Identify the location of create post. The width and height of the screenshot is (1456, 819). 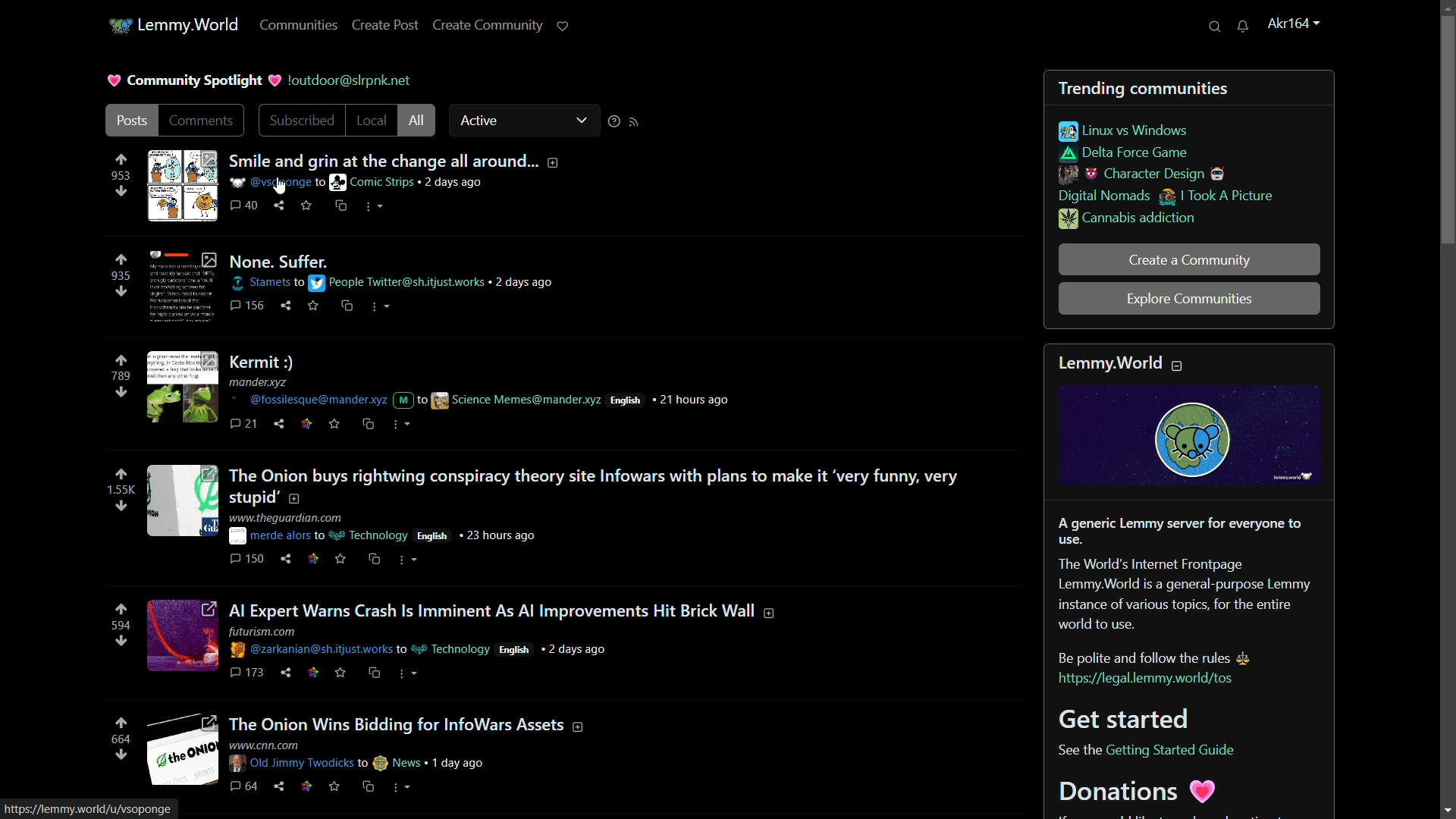
(385, 27).